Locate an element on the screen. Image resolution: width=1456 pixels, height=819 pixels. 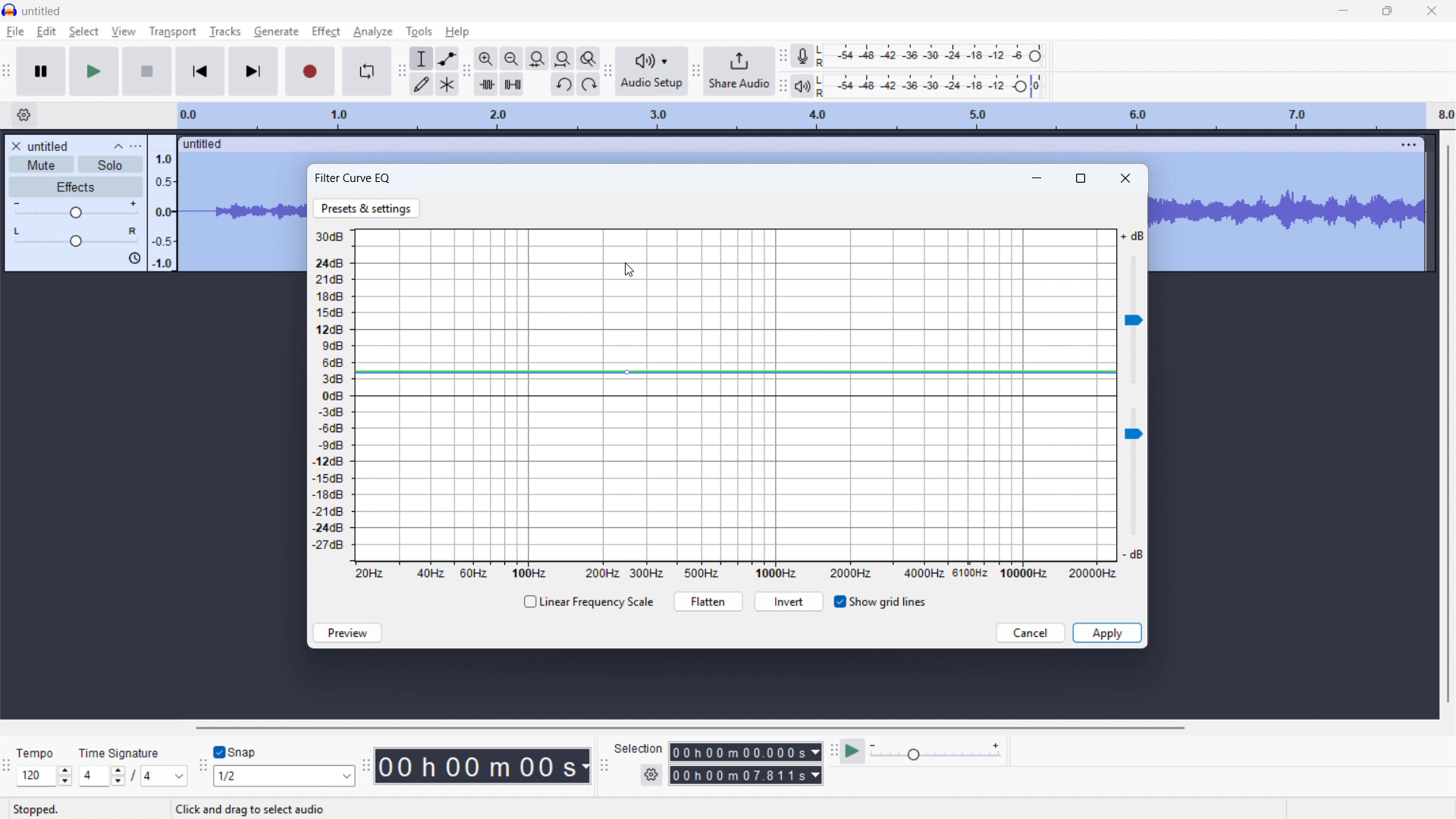
tempo is located at coordinates (36, 754).